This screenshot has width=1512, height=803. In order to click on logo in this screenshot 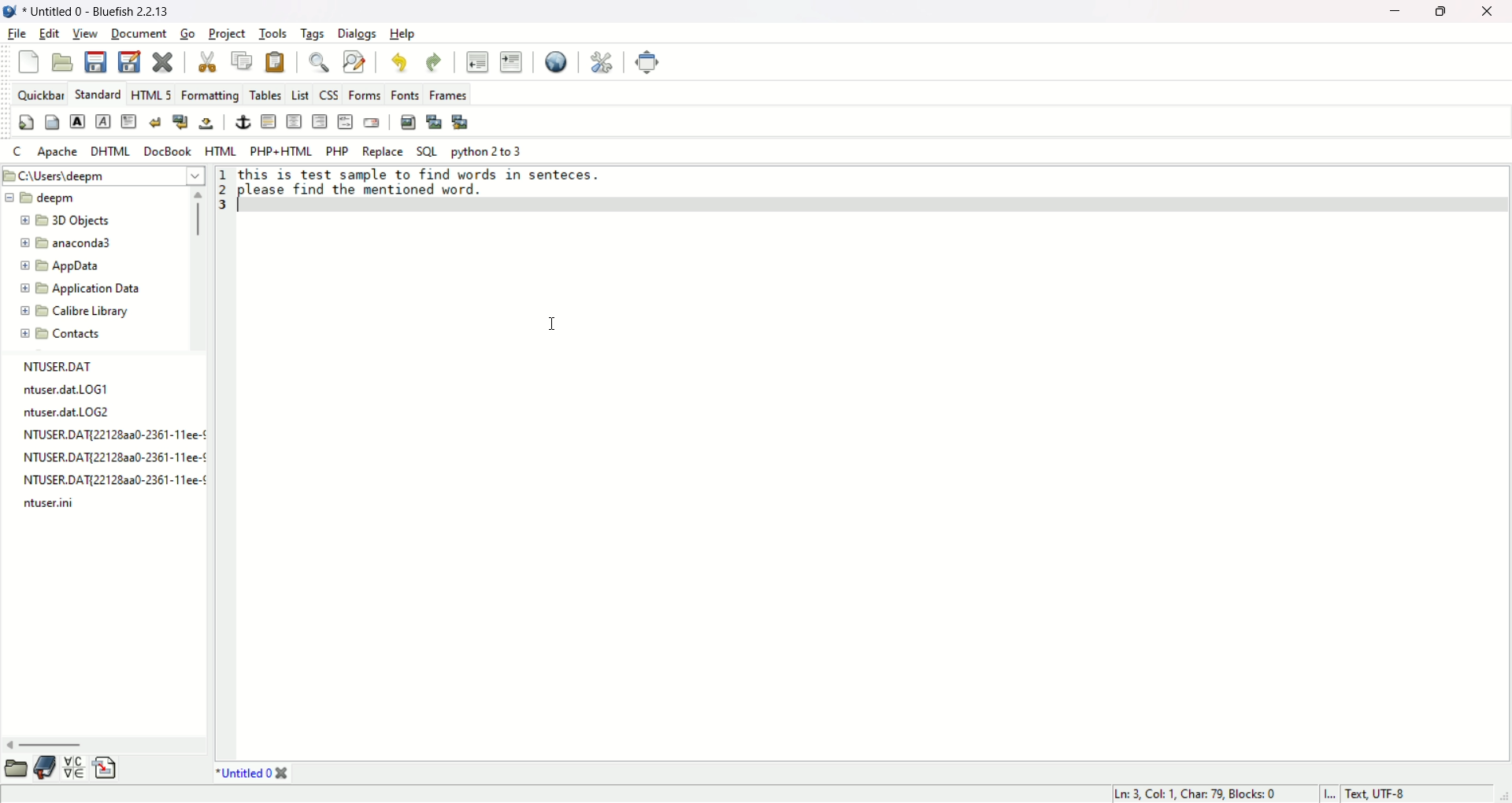, I will do `click(9, 10)`.